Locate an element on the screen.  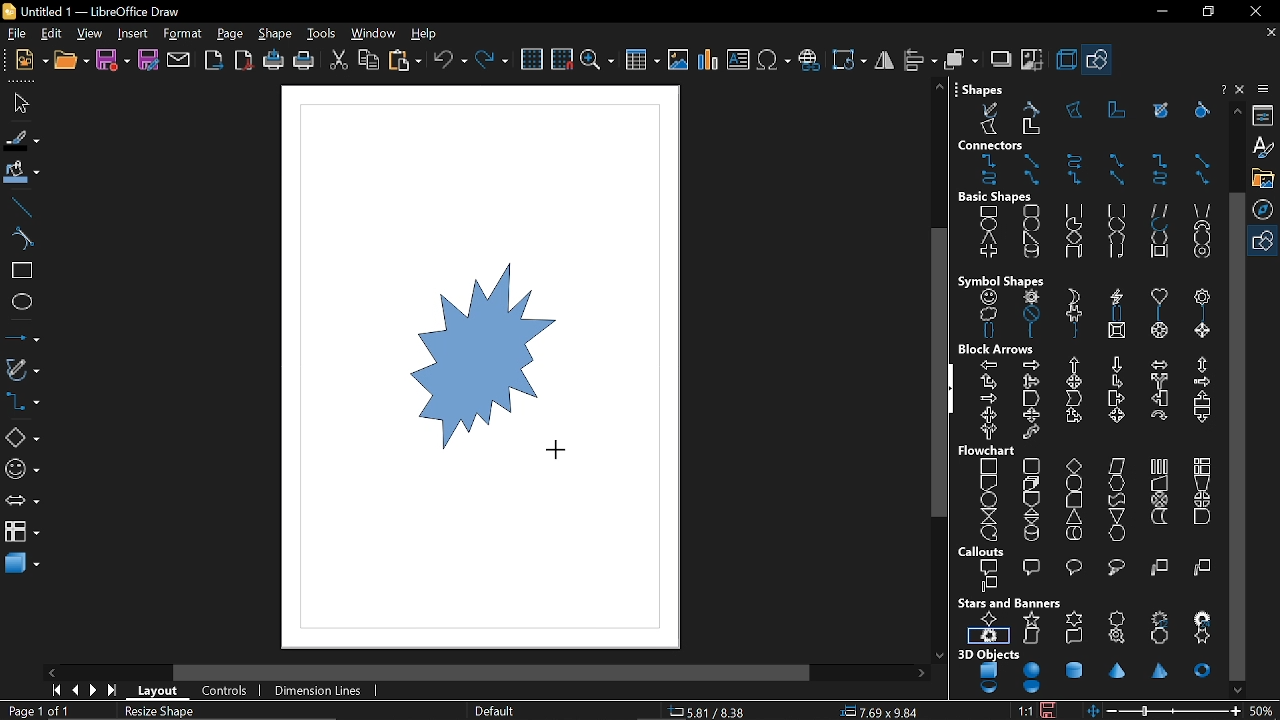
export is located at coordinates (215, 60).